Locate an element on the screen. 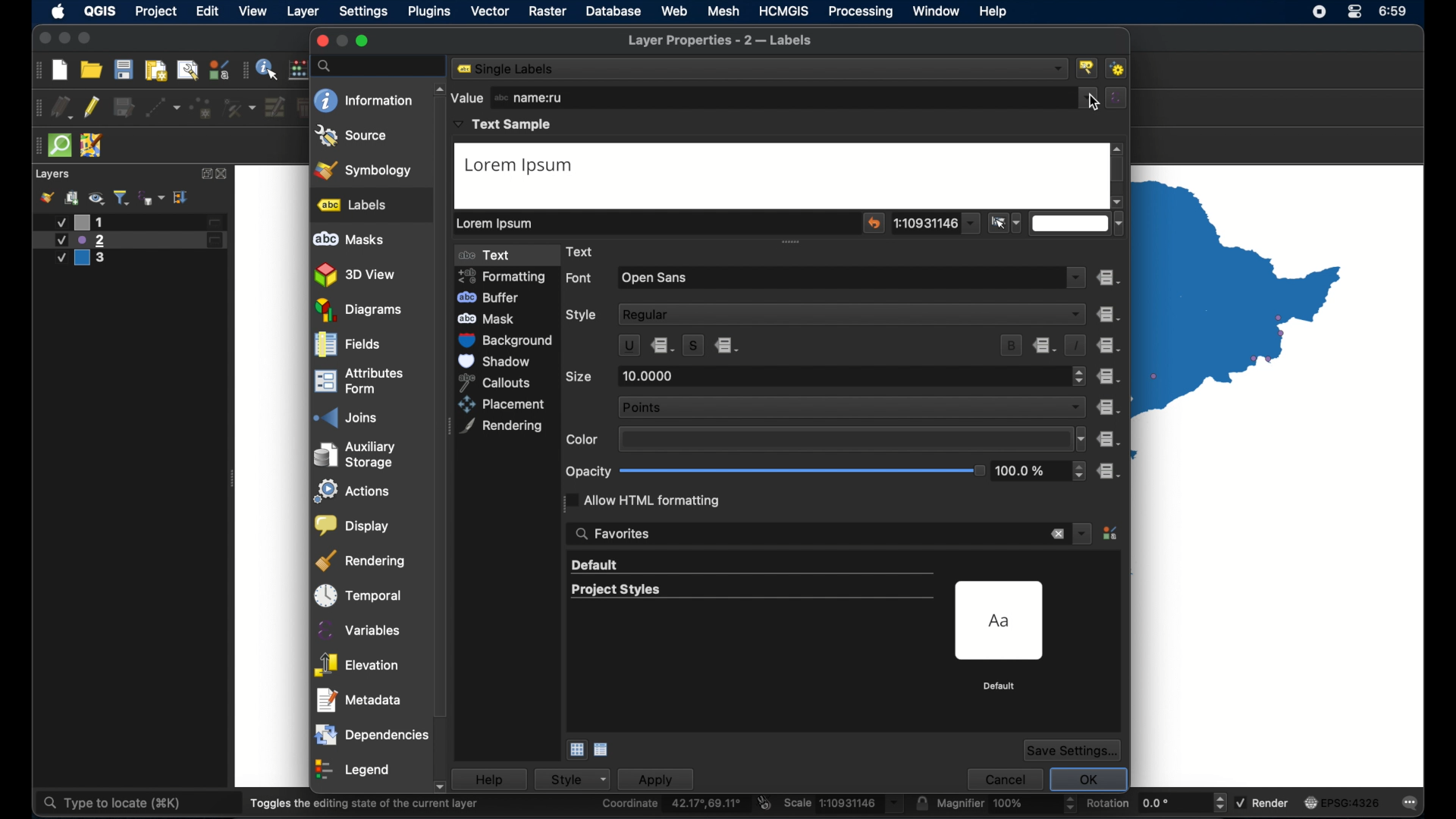 This screenshot has height=819, width=1456. toggles the  dining state of the current layer is located at coordinates (365, 803).